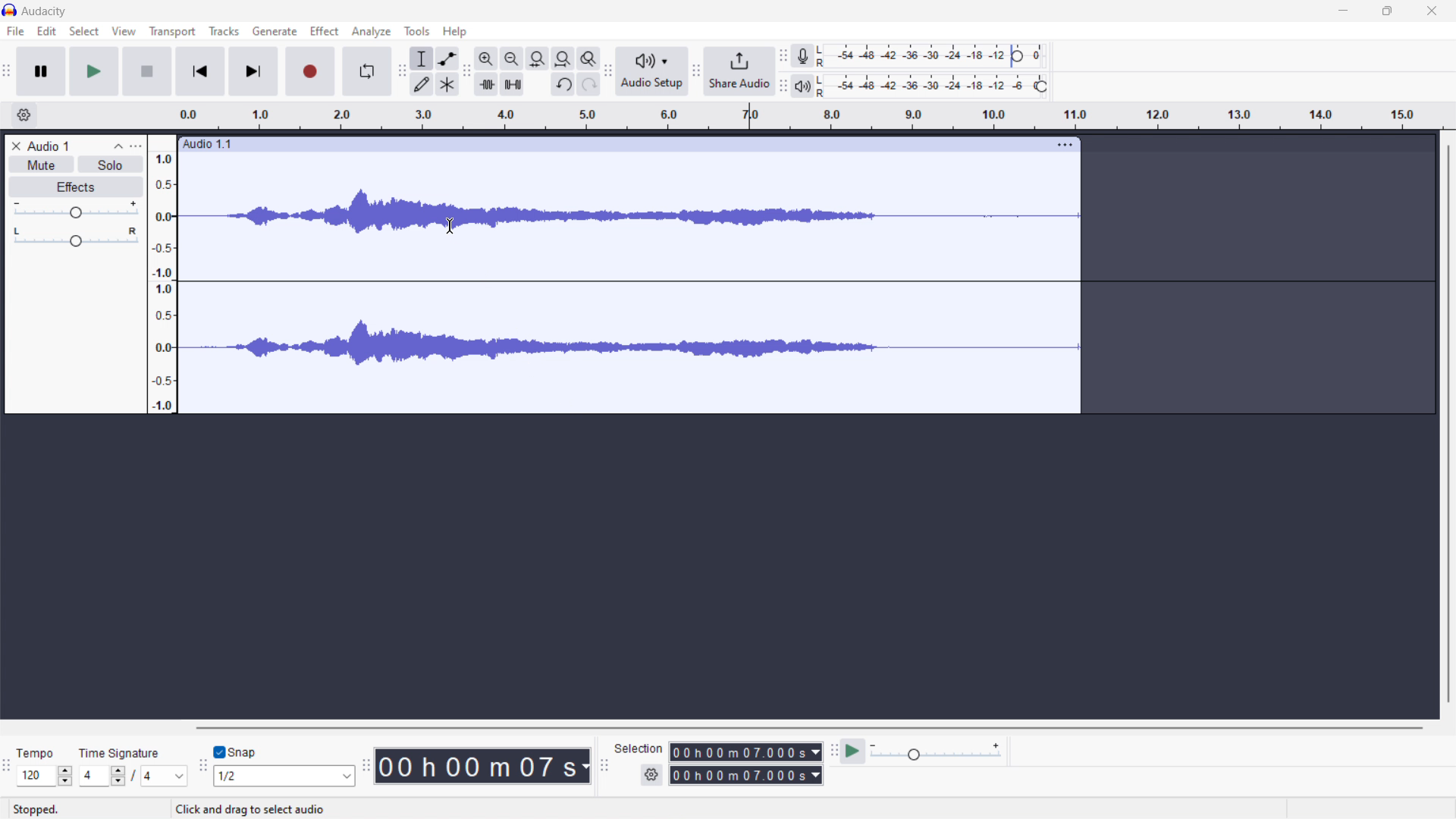 The image size is (1456, 819). I want to click on time signature, so click(120, 753).